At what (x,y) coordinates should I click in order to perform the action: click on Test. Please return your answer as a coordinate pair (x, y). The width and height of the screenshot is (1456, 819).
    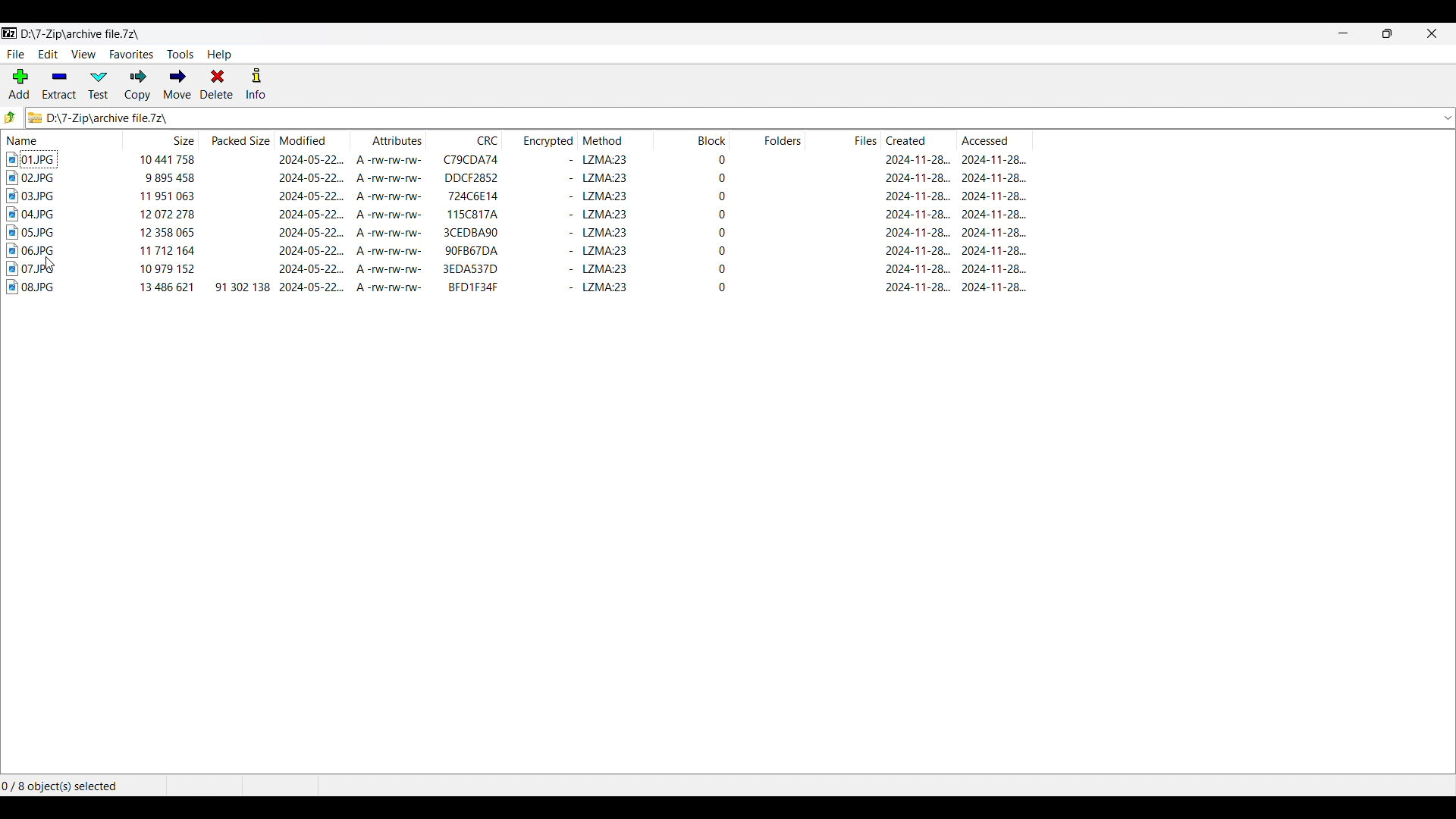
    Looking at the image, I should click on (99, 85).